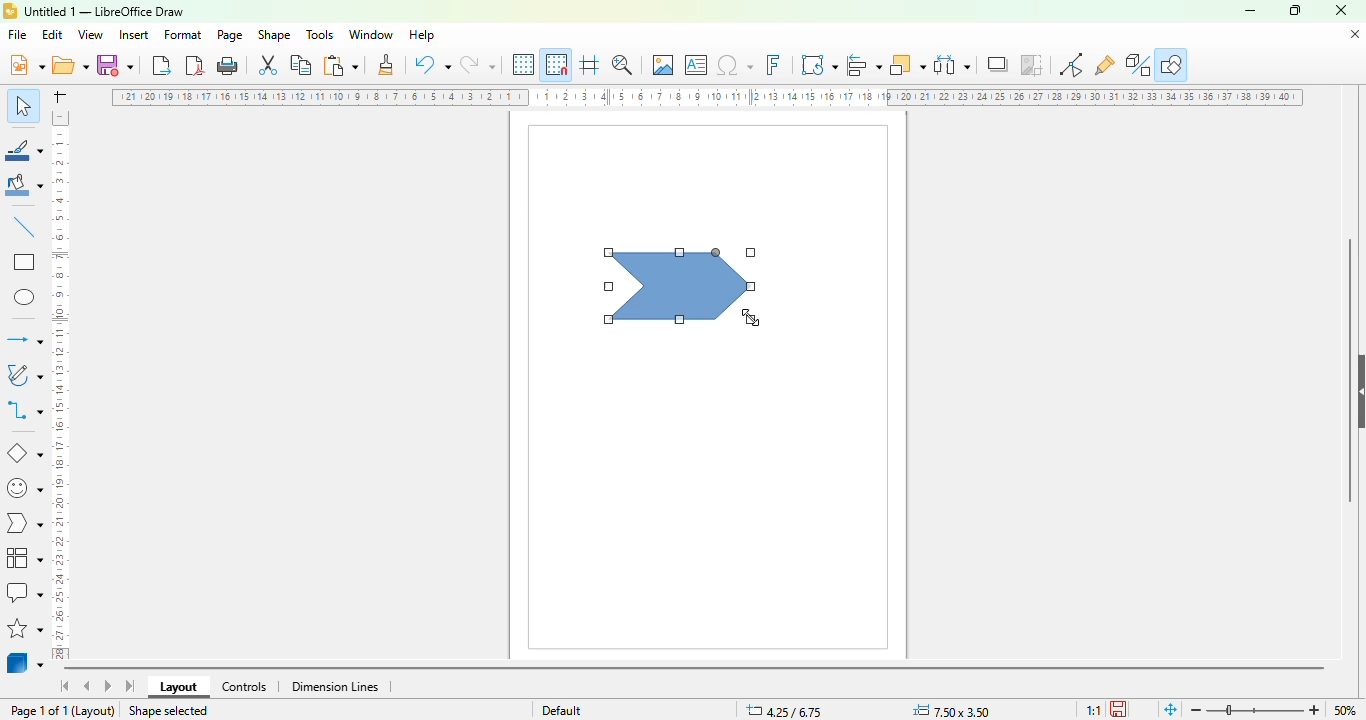 The width and height of the screenshot is (1366, 720). I want to click on page, so click(229, 35).